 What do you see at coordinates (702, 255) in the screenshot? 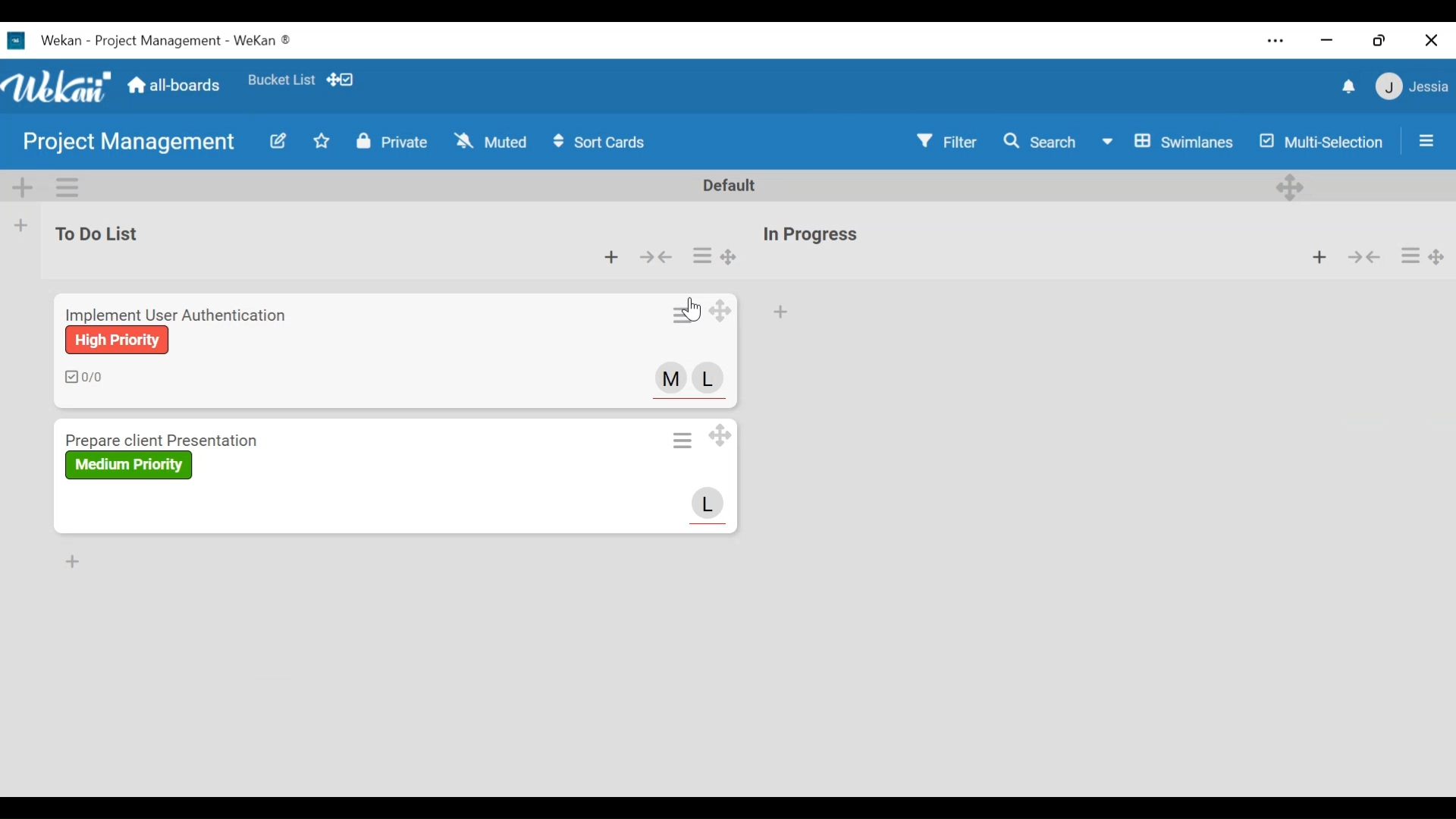
I see `card actions` at bounding box center [702, 255].